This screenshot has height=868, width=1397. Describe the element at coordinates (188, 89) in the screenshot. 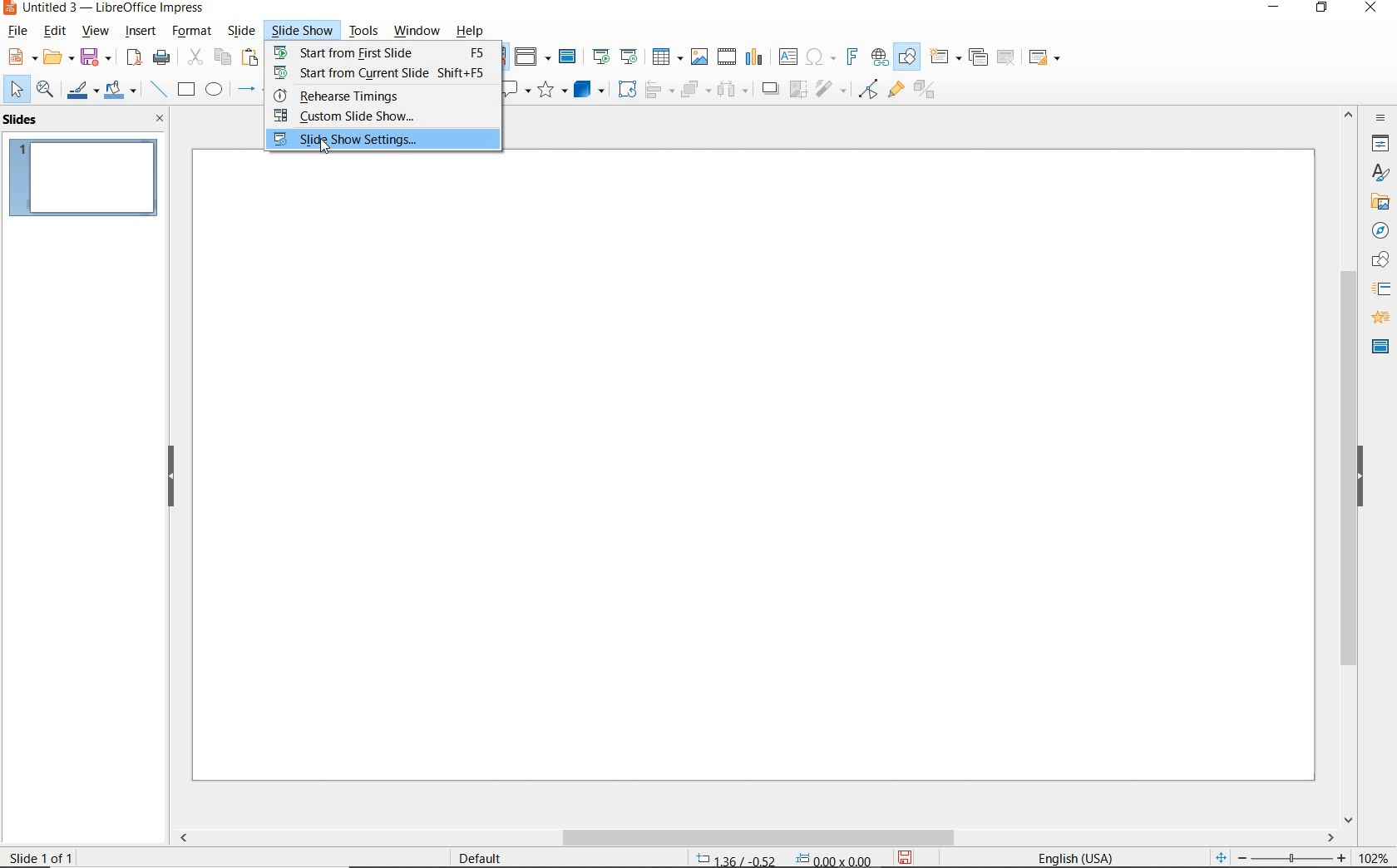

I see `RECTANGLE` at that location.